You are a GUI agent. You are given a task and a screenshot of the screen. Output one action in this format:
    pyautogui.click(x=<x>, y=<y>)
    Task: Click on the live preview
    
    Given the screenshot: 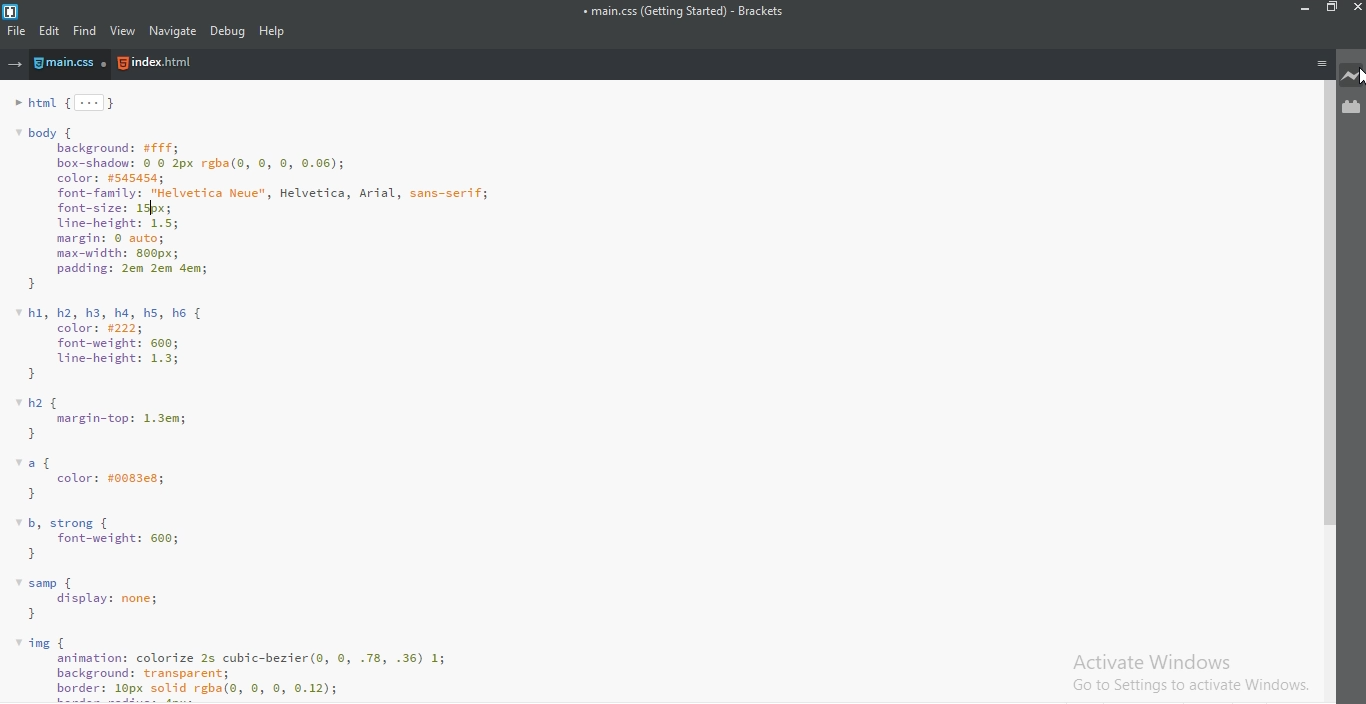 What is the action you would take?
    pyautogui.click(x=1352, y=77)
    